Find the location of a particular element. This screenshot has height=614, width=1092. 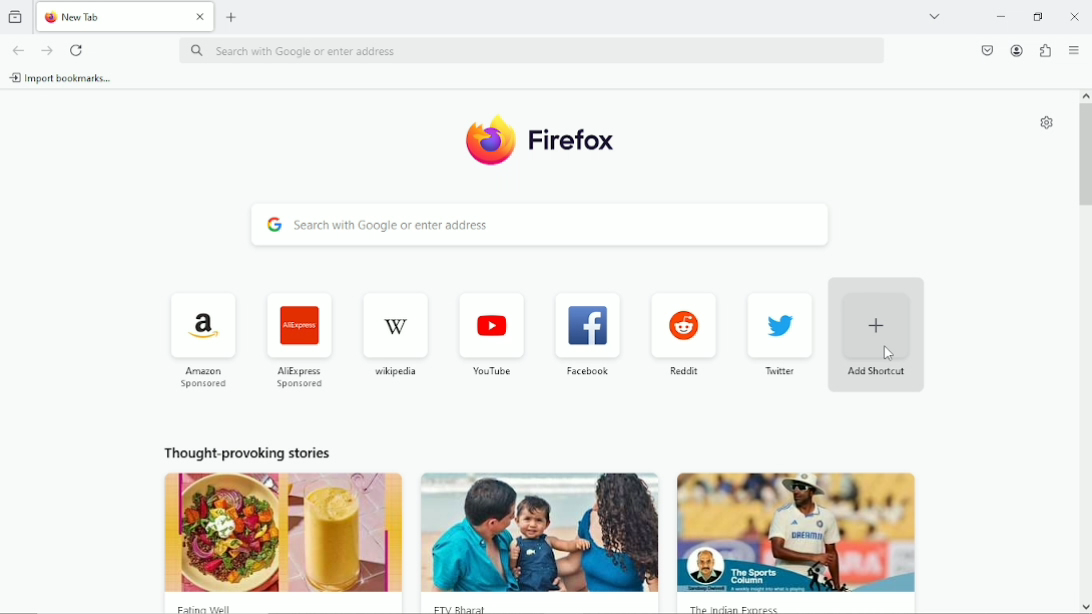

account is located at coordinates (1015, 50).